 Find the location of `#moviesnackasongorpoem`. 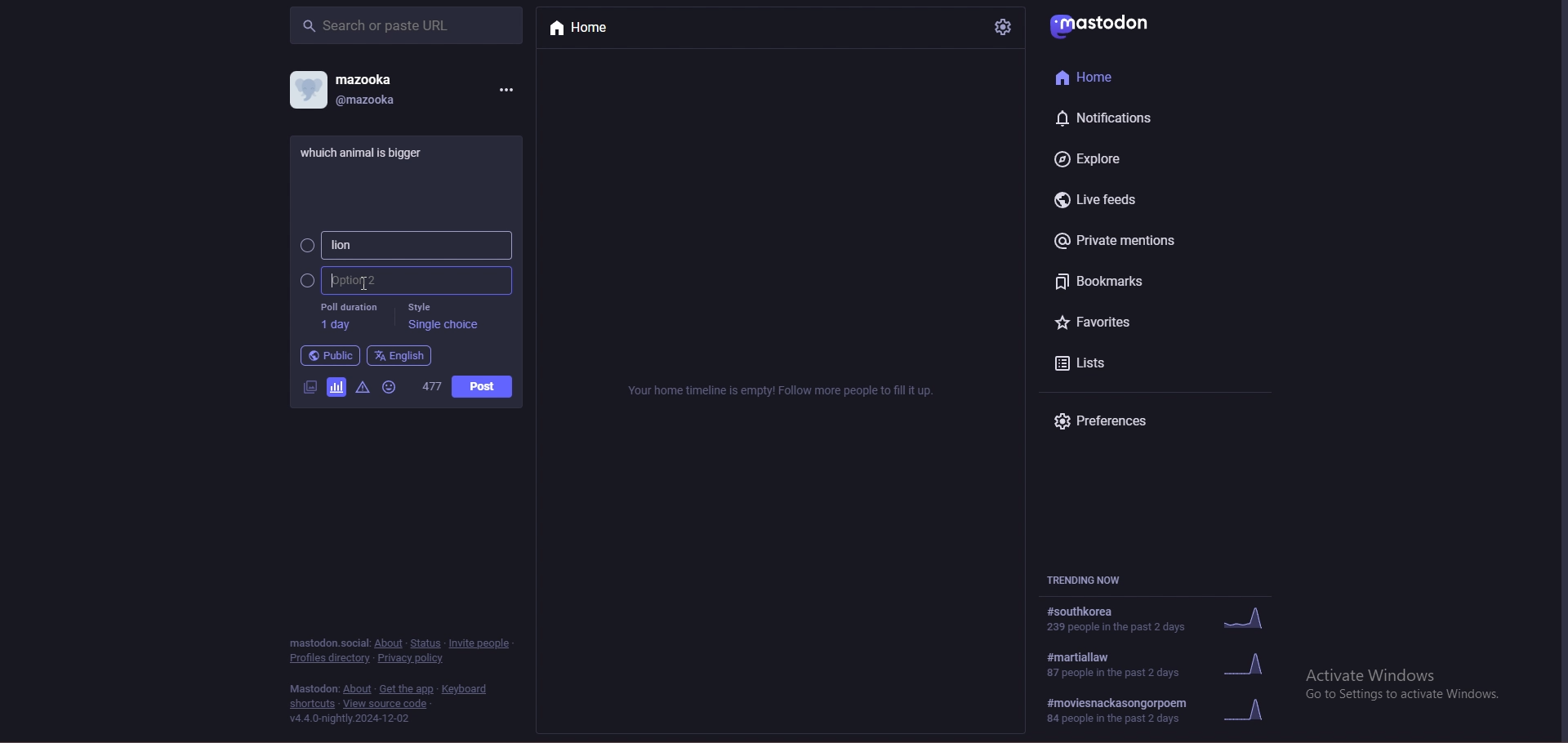

#moviesnackasongorpoem is located at coordinates (1165, 711).